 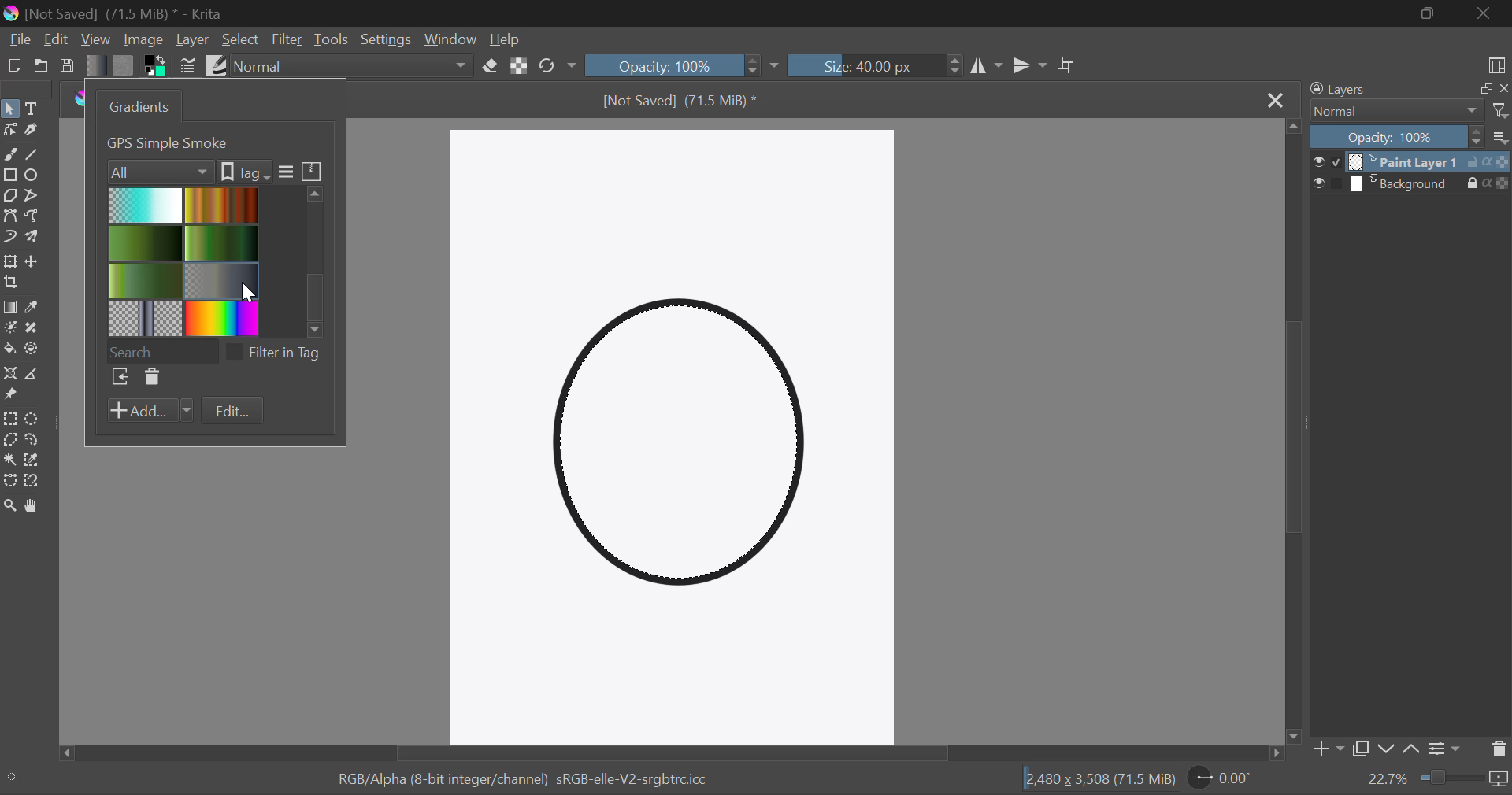 I want to click on [Not Saved] (71.5 MiB) *, so click(x=680, y=102).